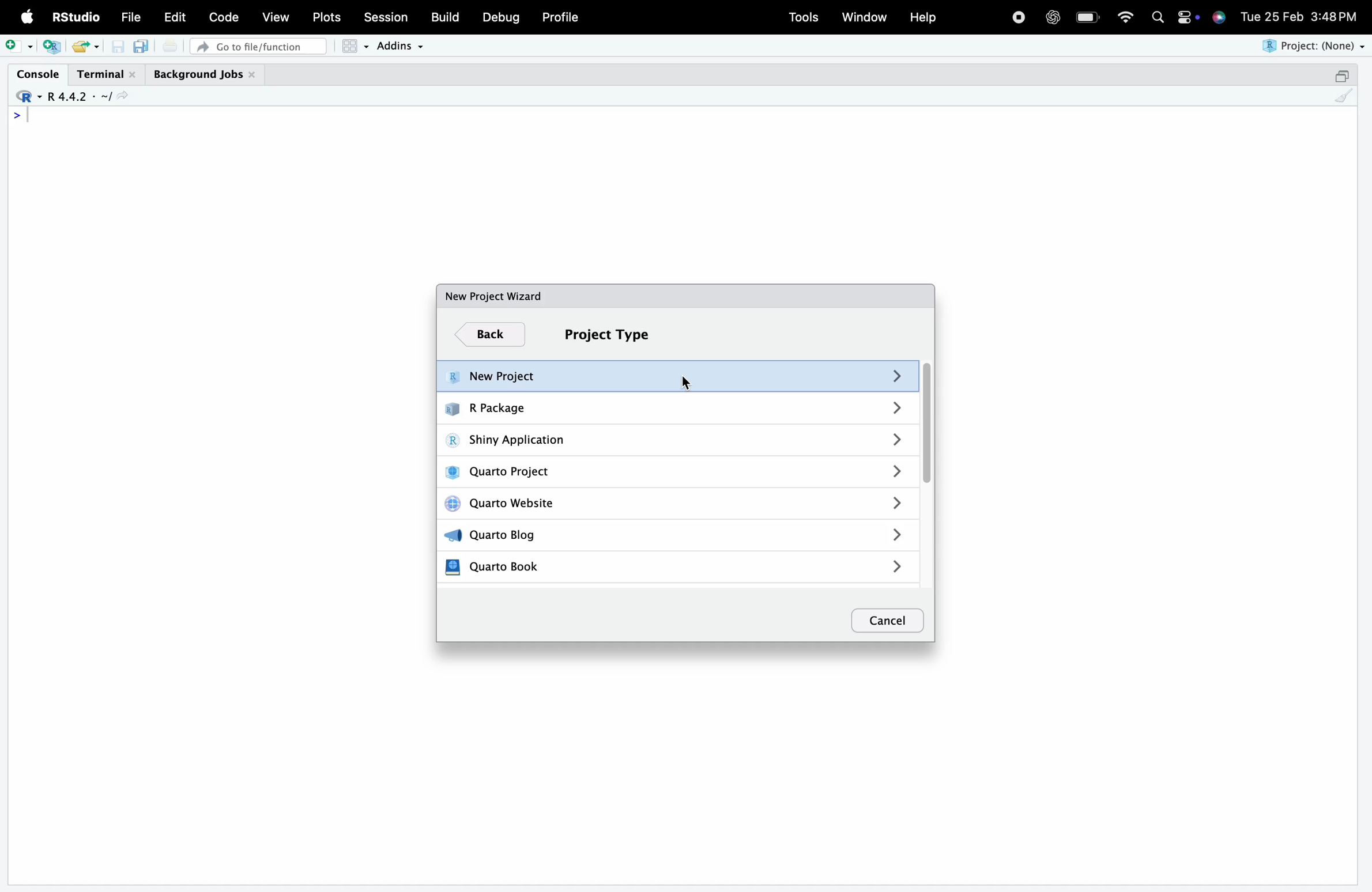 The height and width of the screenshot is (892, 1372). What do you see at coordinates (122, 96) in the screenshot?
I see `view the current working directory` at bounding box center [122, 96].